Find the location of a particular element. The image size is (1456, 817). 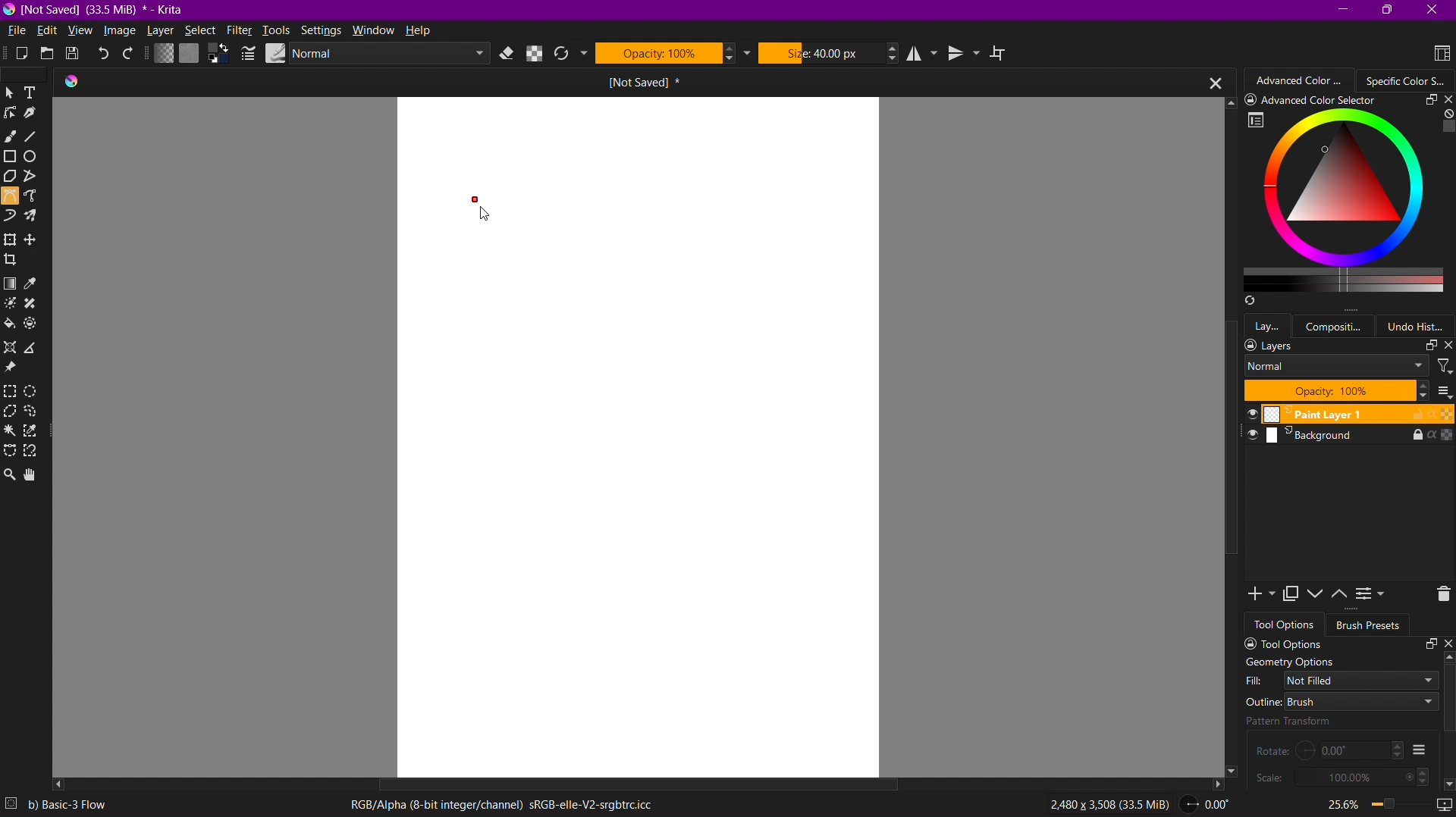

Preserve Alpha is located at coordinates (535, 54).